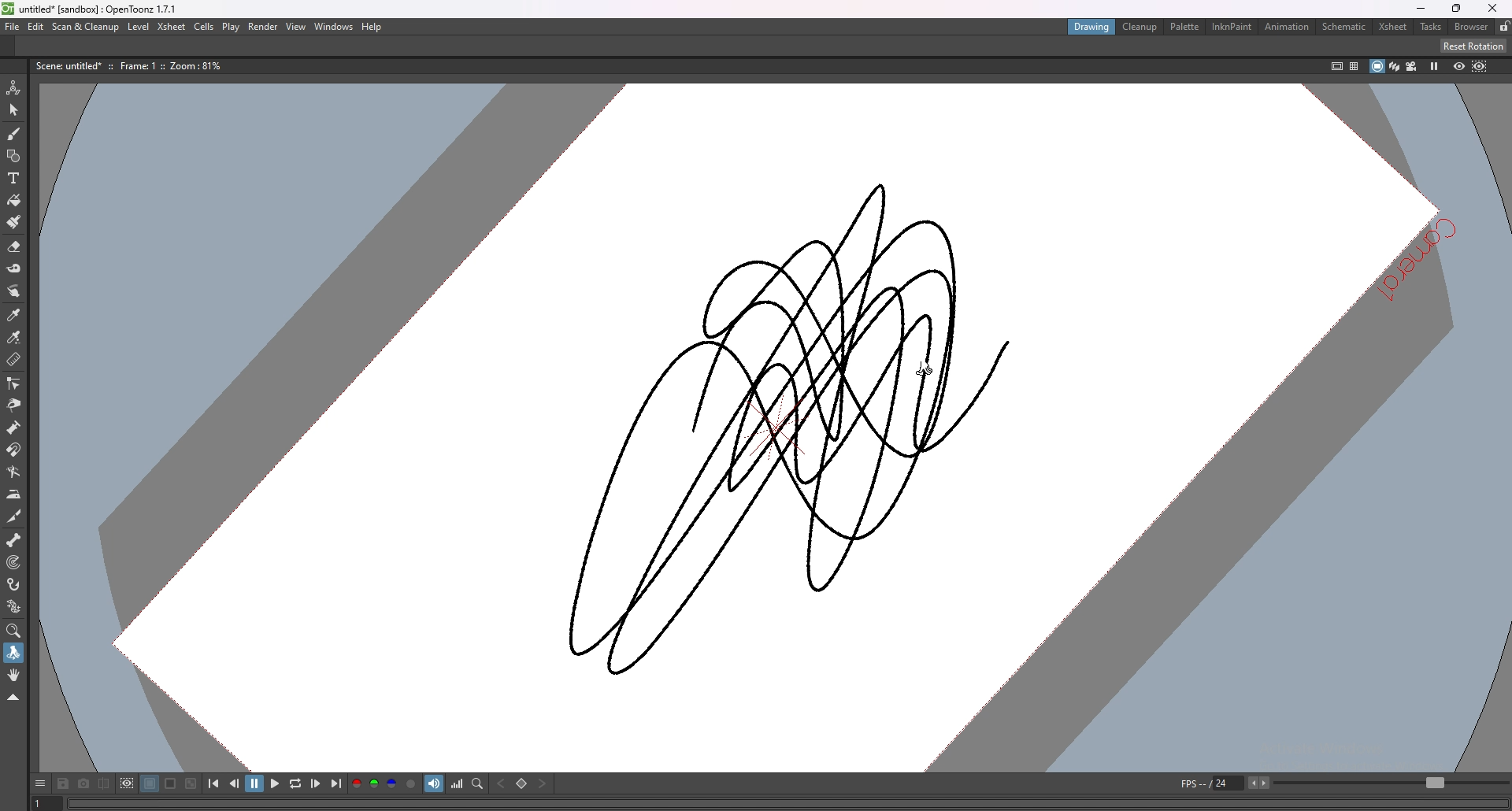 The width and height of the screenshot is (1512, 811). Describe the element at coordinates (1392, 783) in the screenshot. I see `fps bar` at that location.